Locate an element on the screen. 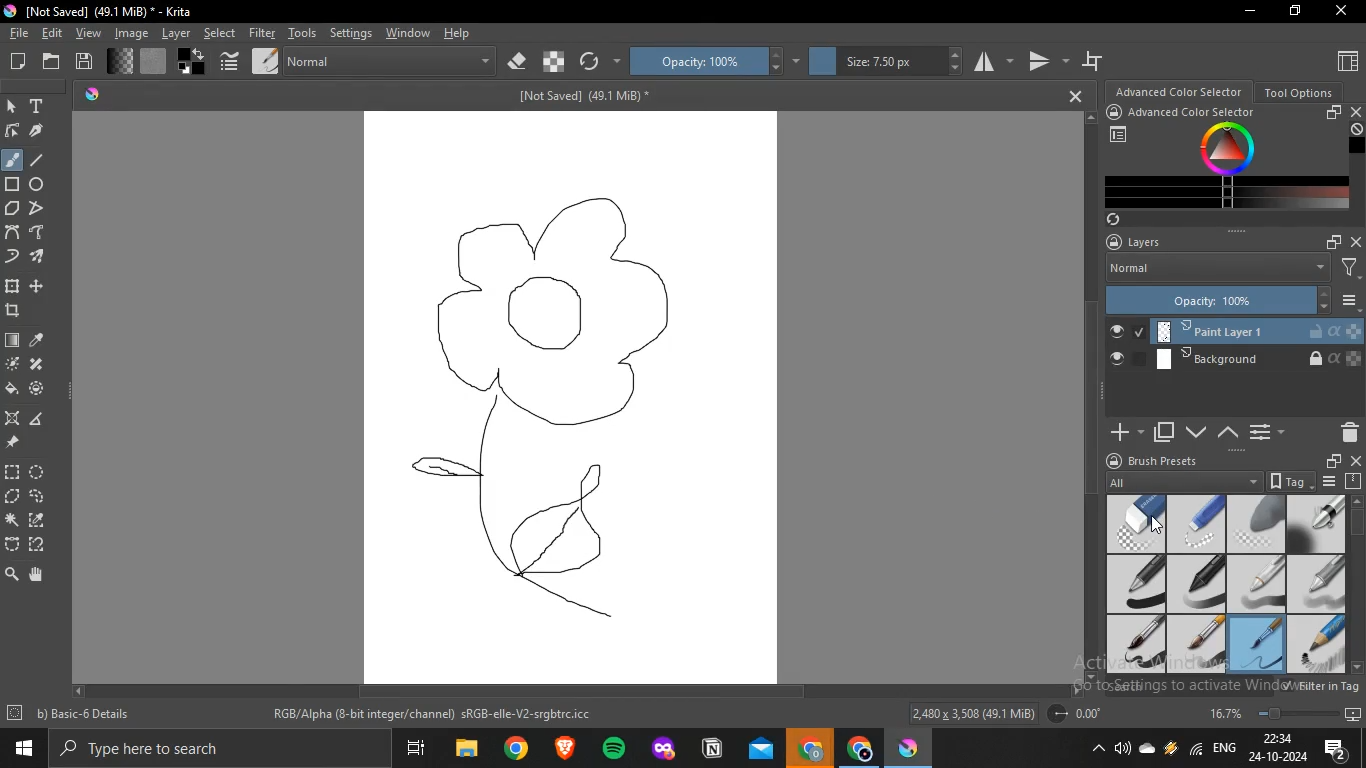 The height and width of the screenshot is (768, 1366). advanced color selector is located at coordinates (1180, 91).